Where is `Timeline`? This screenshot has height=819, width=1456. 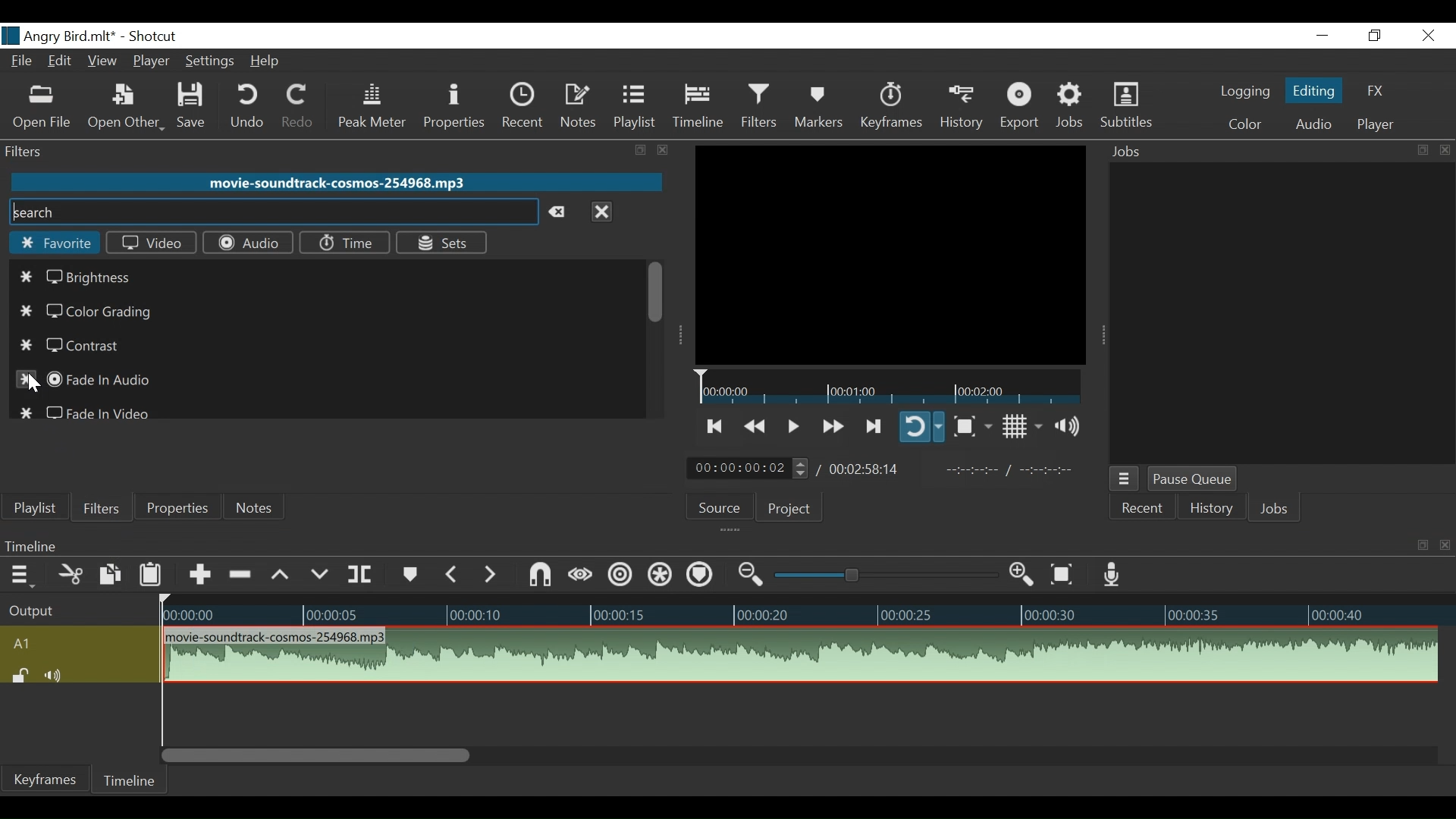
Timeline is located at coordinates (802, 610).